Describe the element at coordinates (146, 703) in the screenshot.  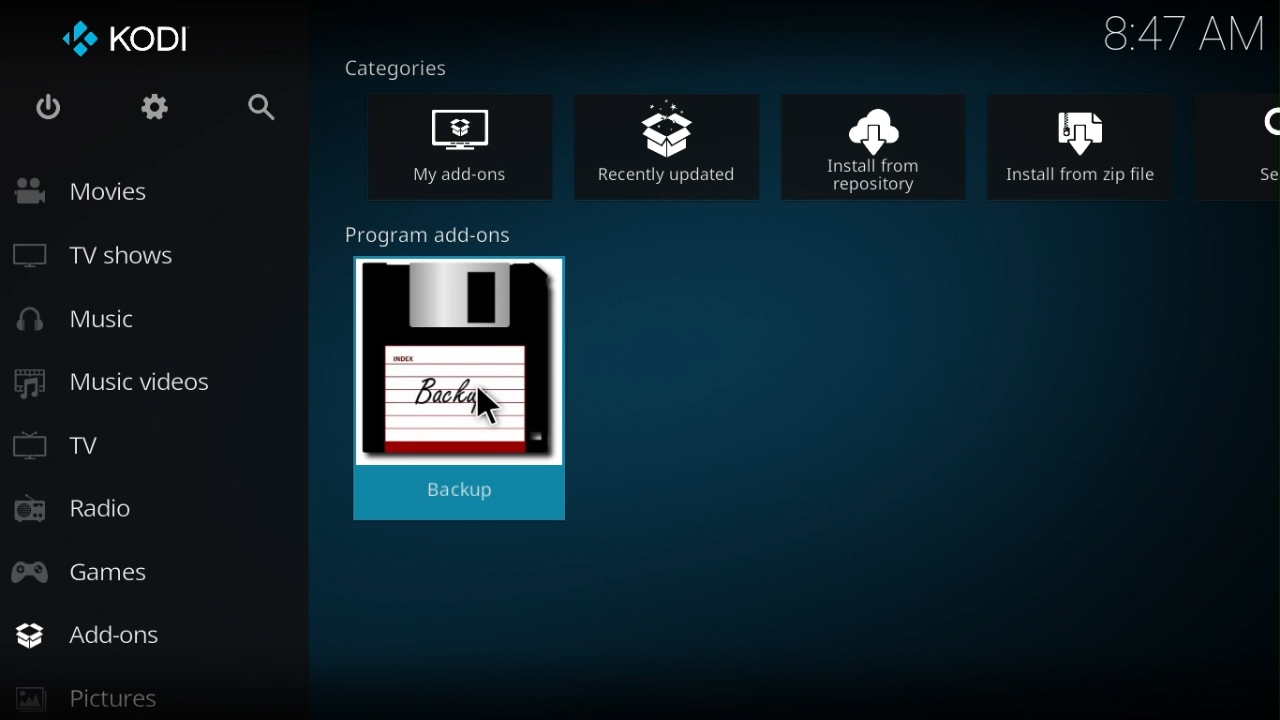
I see `pictures` at that location.